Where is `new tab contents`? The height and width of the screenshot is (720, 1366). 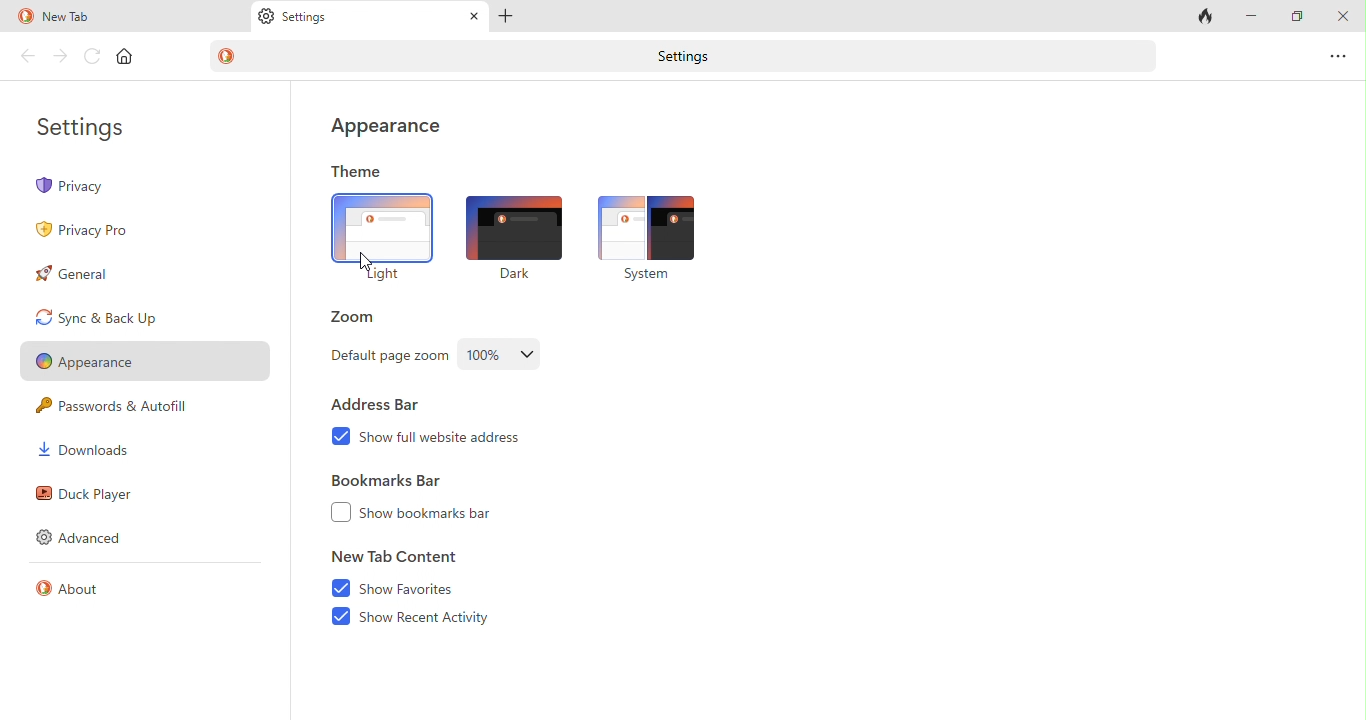 new tab contents is located at coordinates (396, 559).